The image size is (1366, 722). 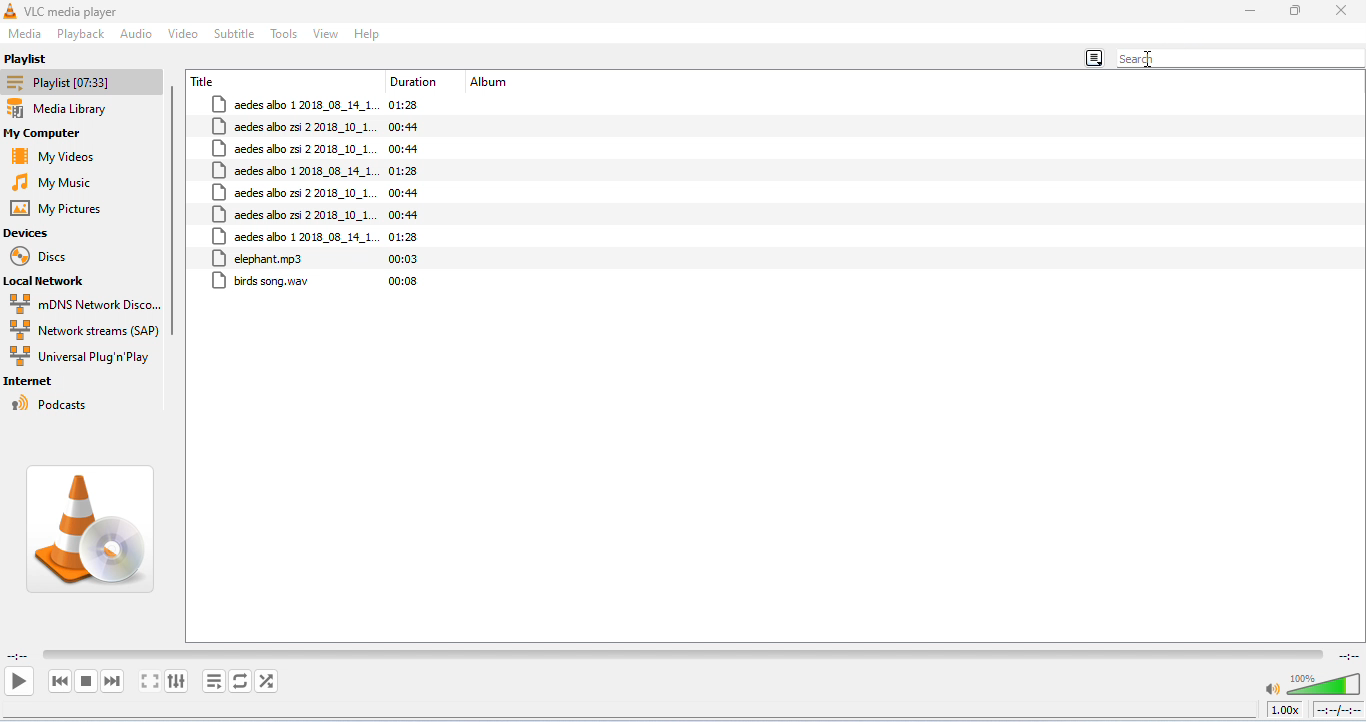 I want to click on stop, so click(x=86, y=681).